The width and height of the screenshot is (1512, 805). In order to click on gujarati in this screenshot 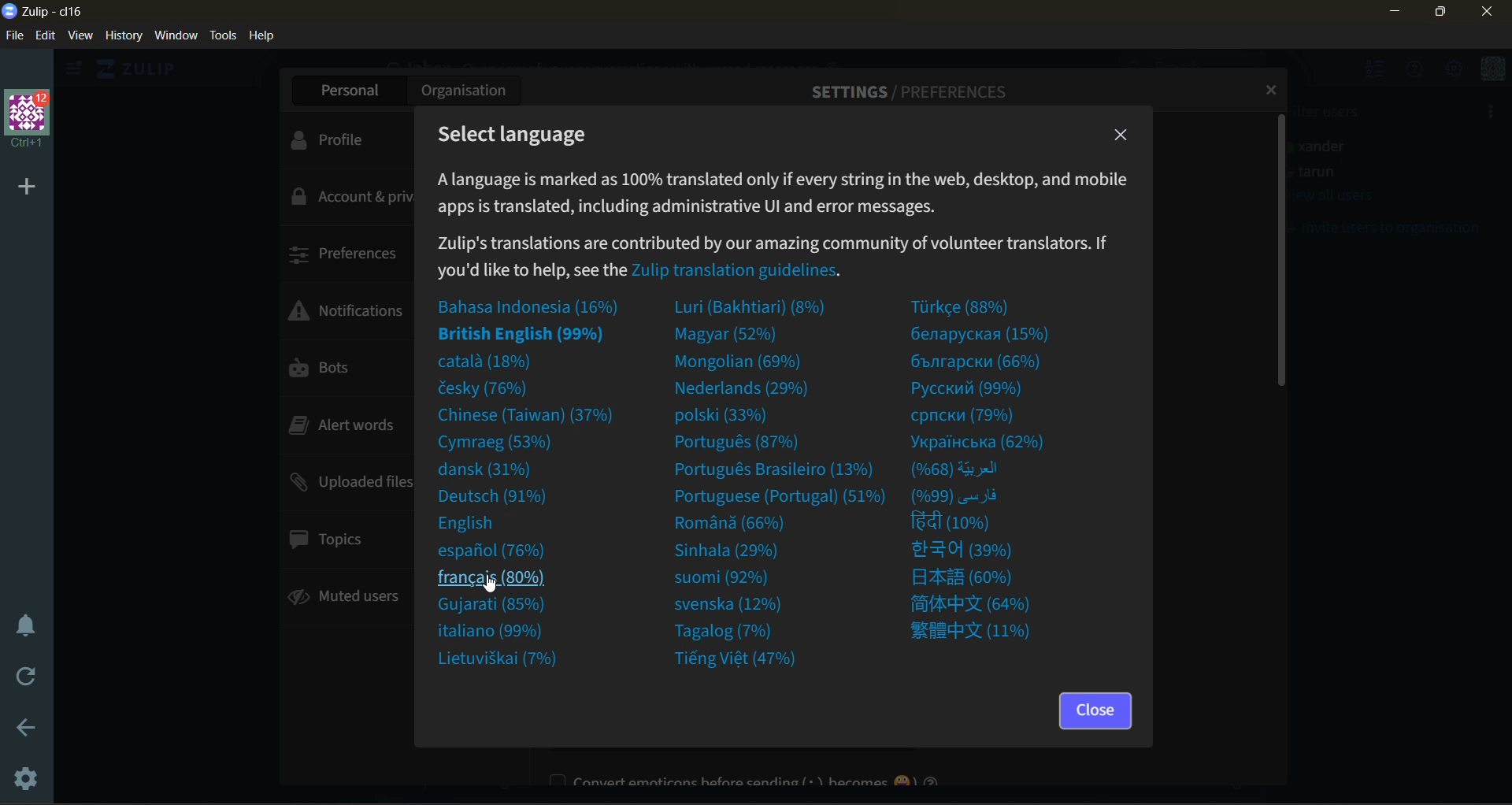, I will do `click(500, 603)`.